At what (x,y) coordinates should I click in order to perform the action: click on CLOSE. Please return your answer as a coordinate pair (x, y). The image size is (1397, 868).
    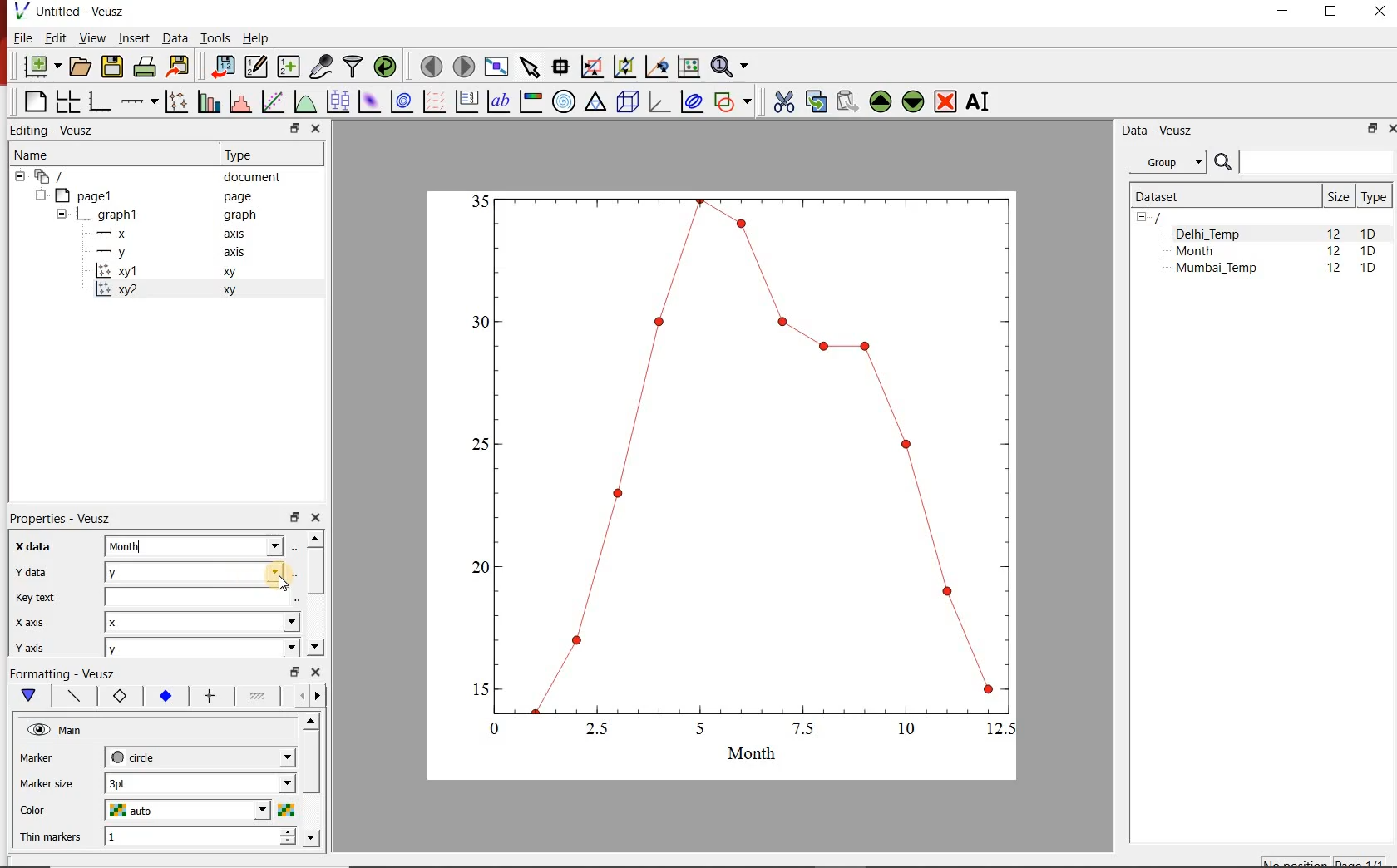
    Looking at the image, I should click on (1390, 129).